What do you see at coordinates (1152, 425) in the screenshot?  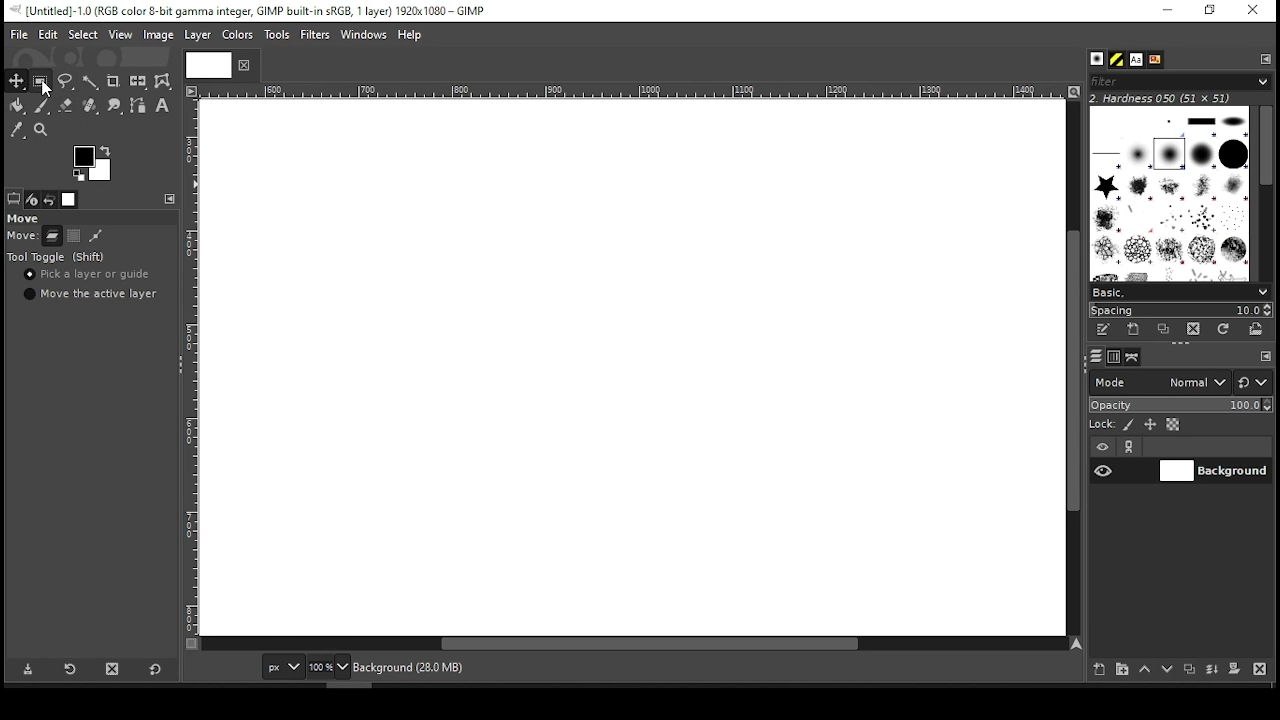 I see `lock size and positioning` at bounding box center [1152, 425].